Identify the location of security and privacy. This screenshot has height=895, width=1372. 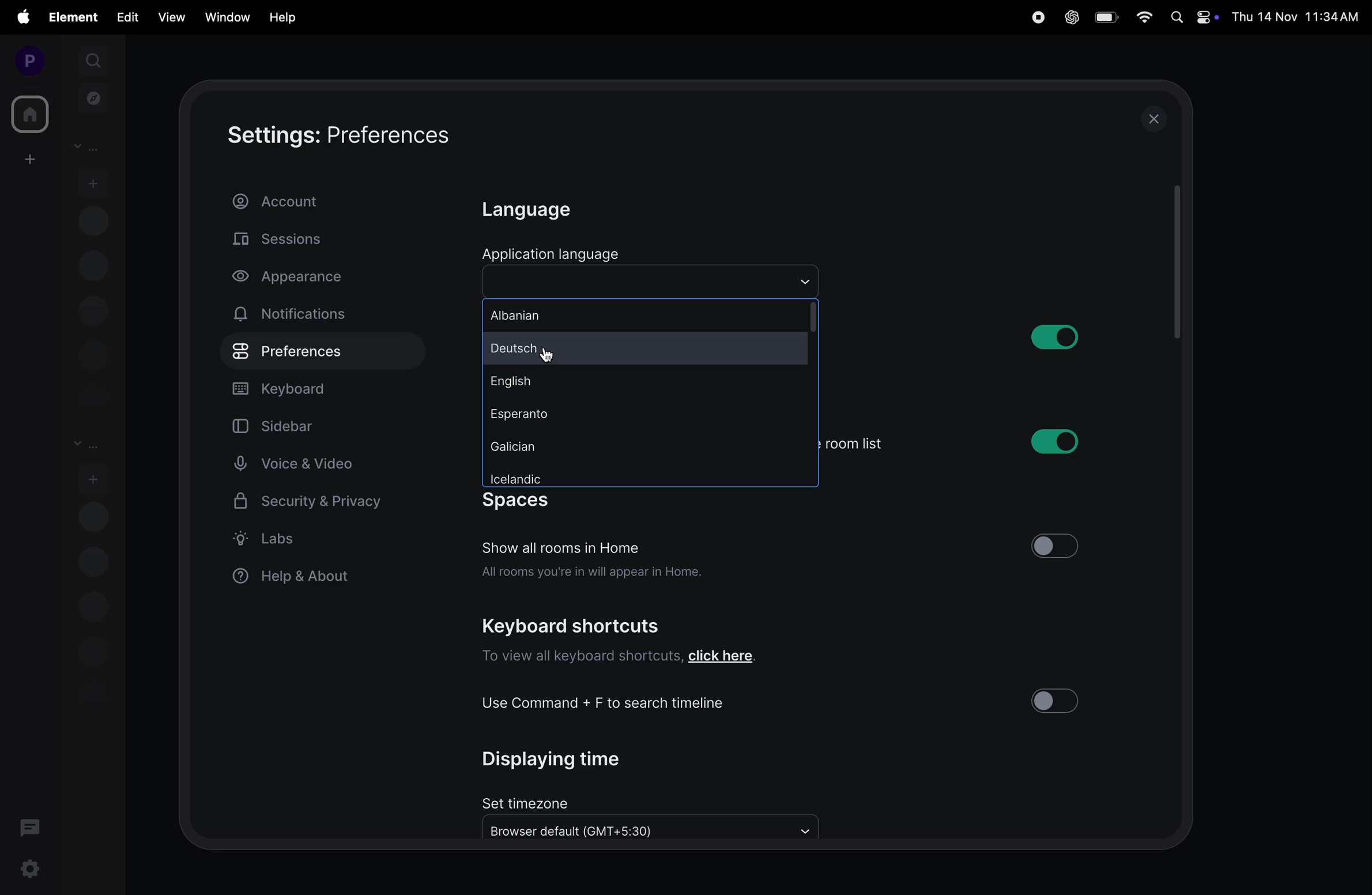
(315, 501).